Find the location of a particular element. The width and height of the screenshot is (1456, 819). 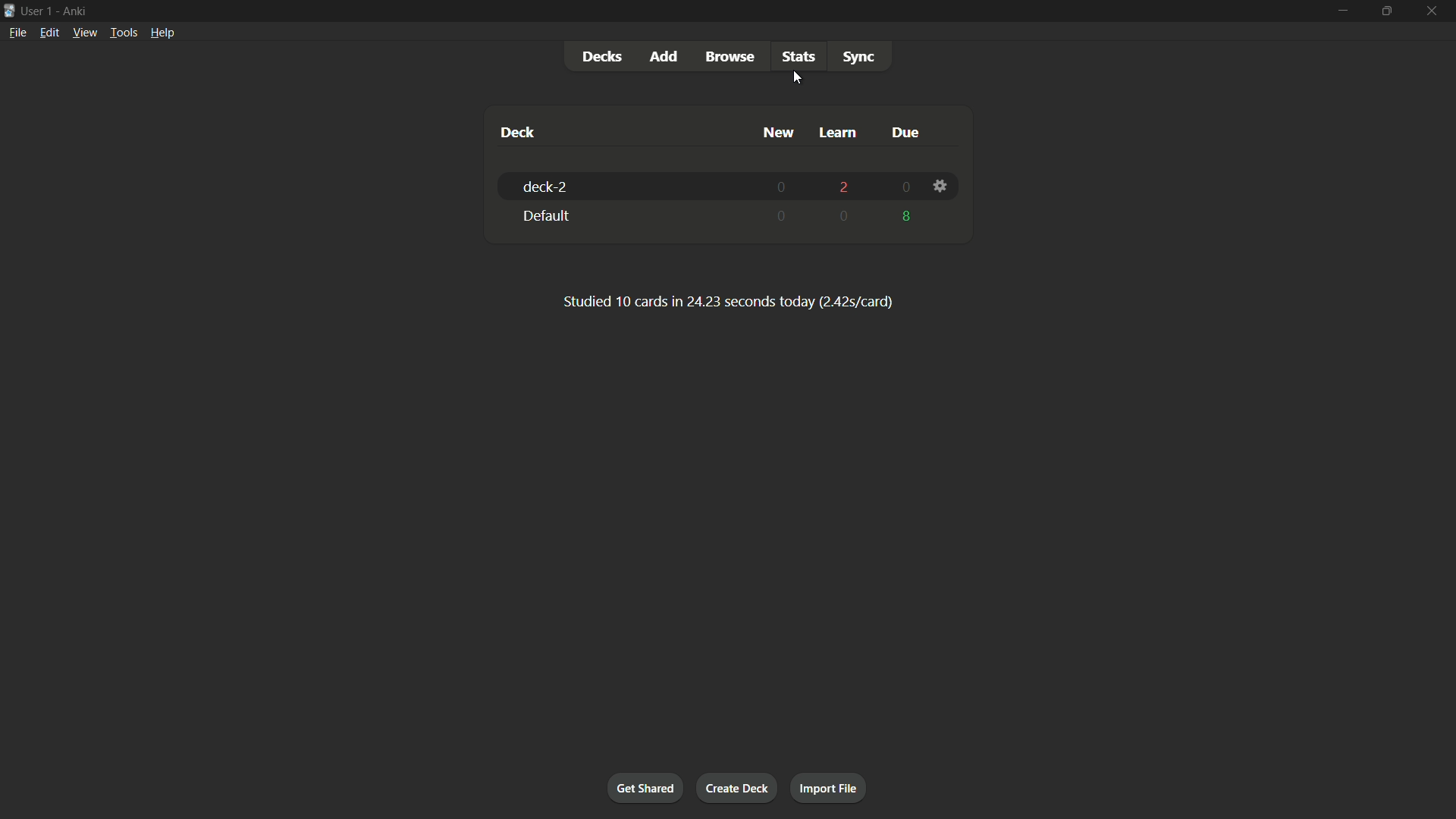

2 is located at coordinates (844, 187).